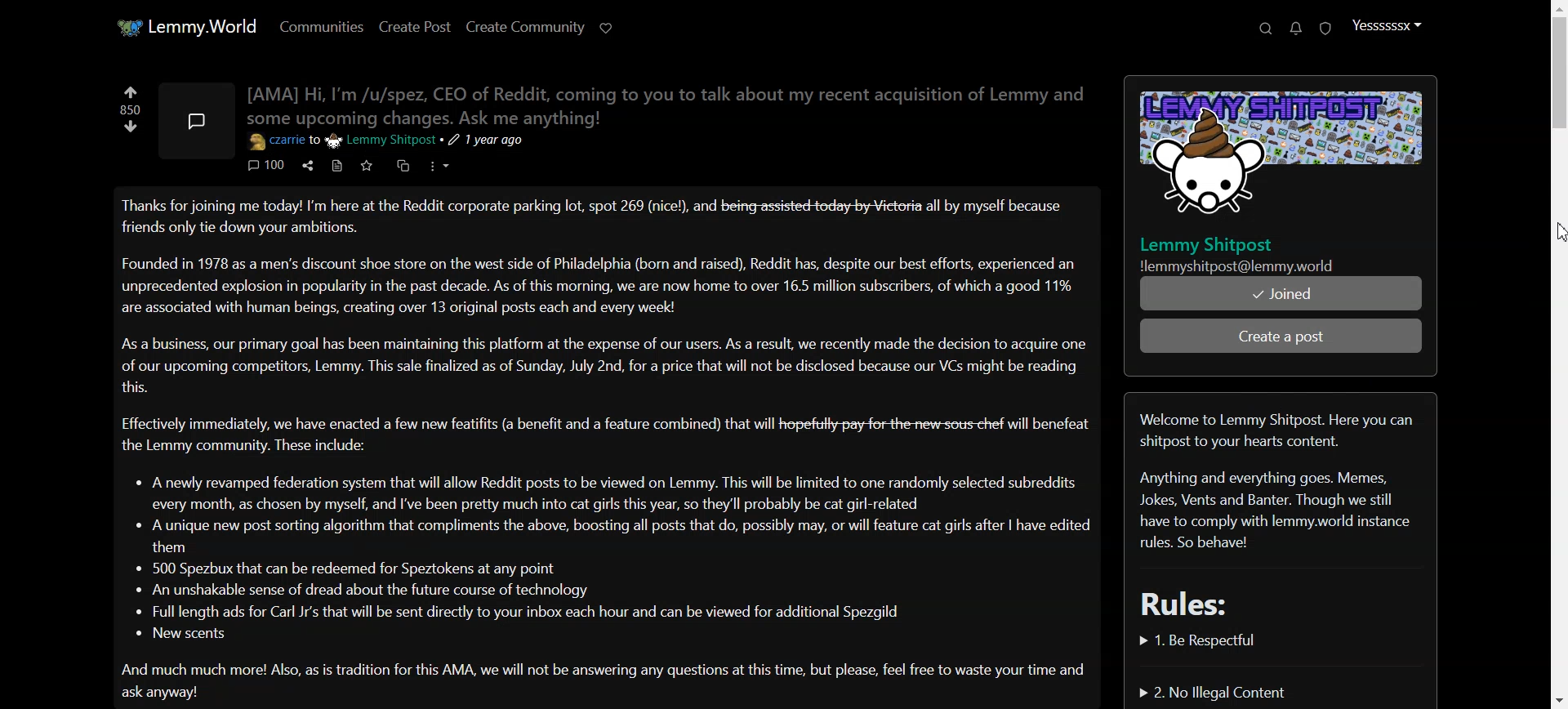 The height and width of the screenshot is (709, 1568). Describe the element at coordinates (1282, 295) in the screenshot. I see `Joined` at that location.